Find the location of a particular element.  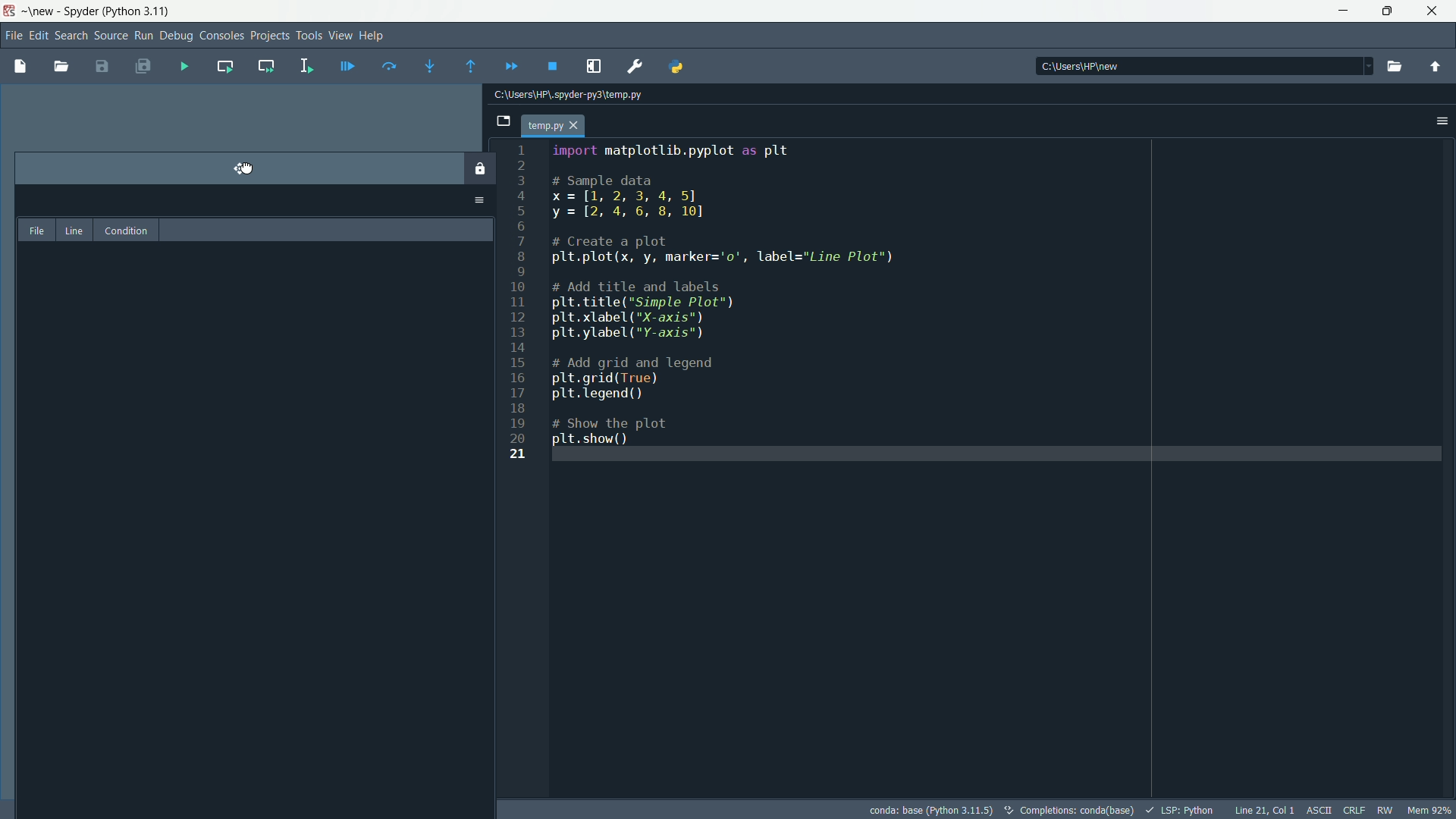

maximize app is located at coordinates (1435, 11).